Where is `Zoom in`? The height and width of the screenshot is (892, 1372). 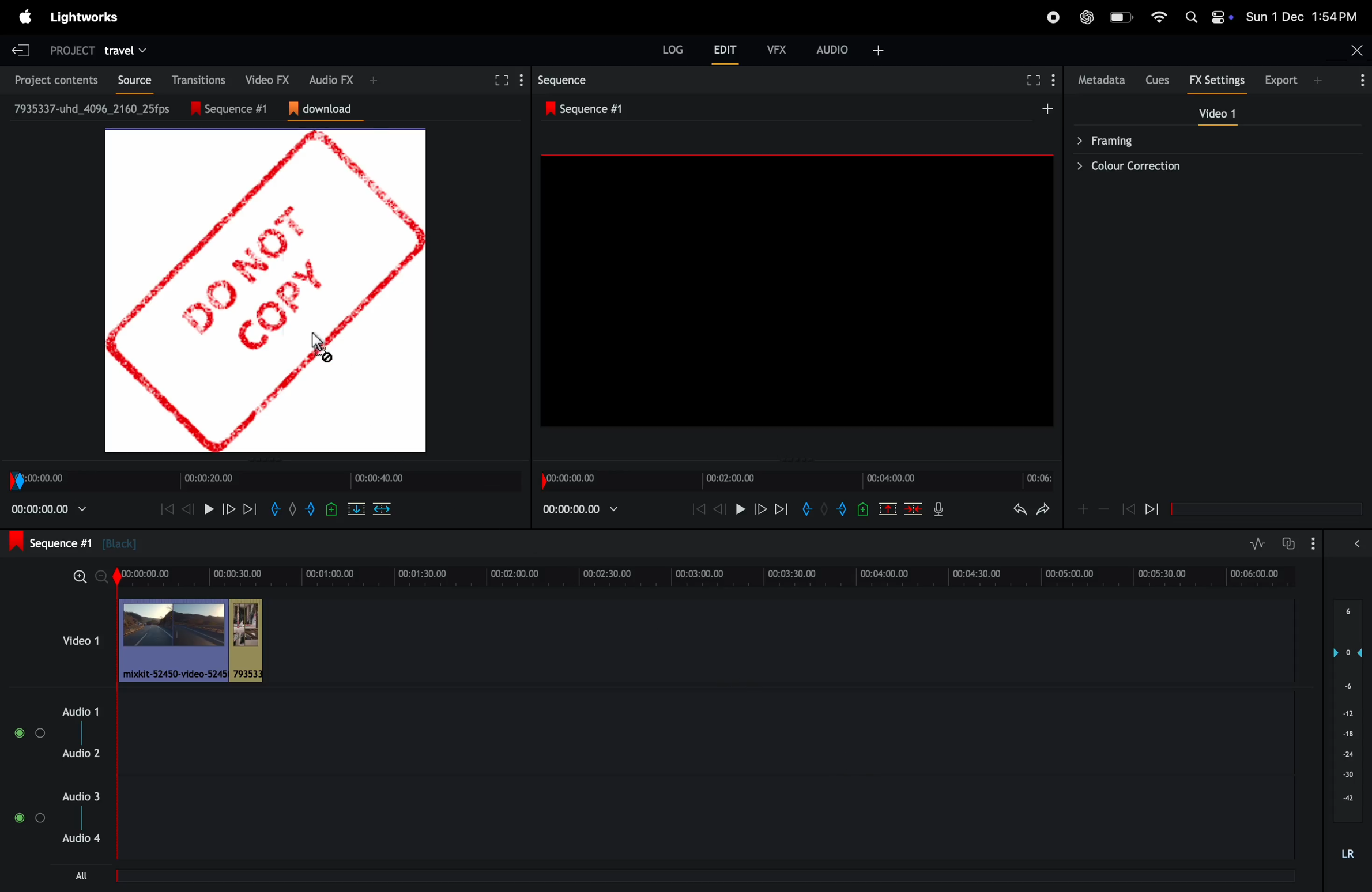 Zoom in is located at coordinates (80, 577).